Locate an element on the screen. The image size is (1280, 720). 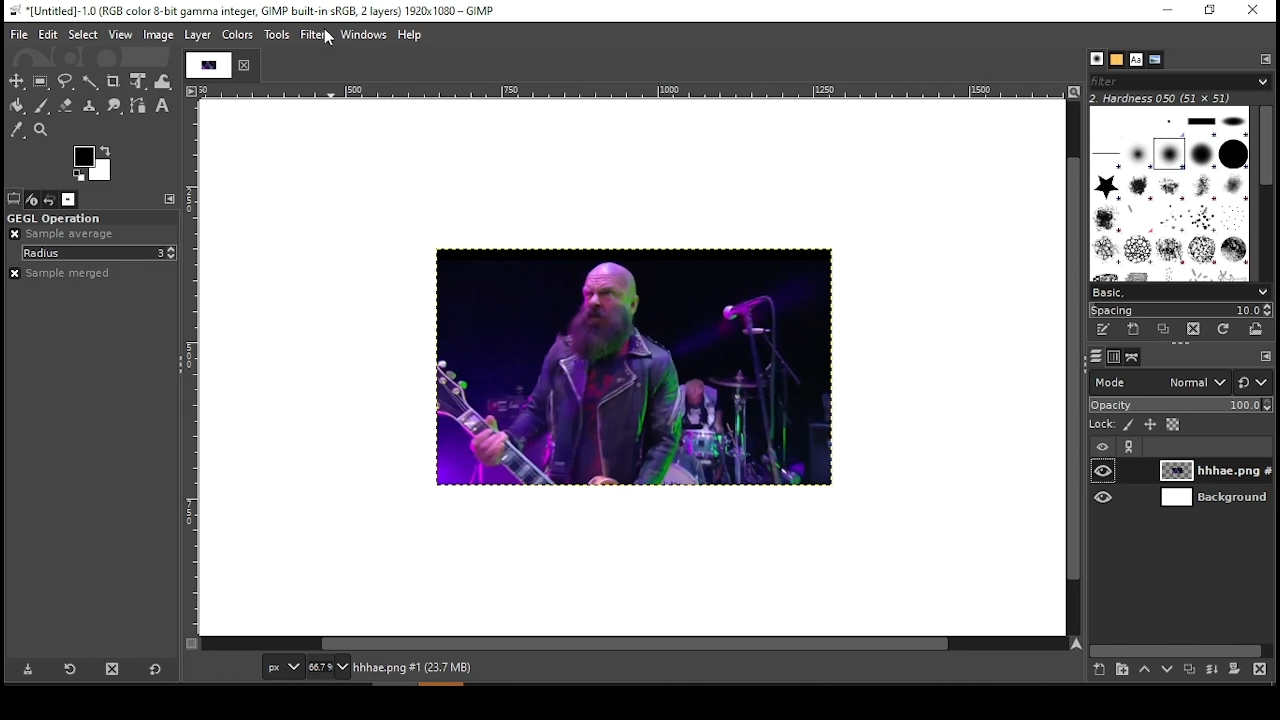
text tool is located at coordinates (162, 106).